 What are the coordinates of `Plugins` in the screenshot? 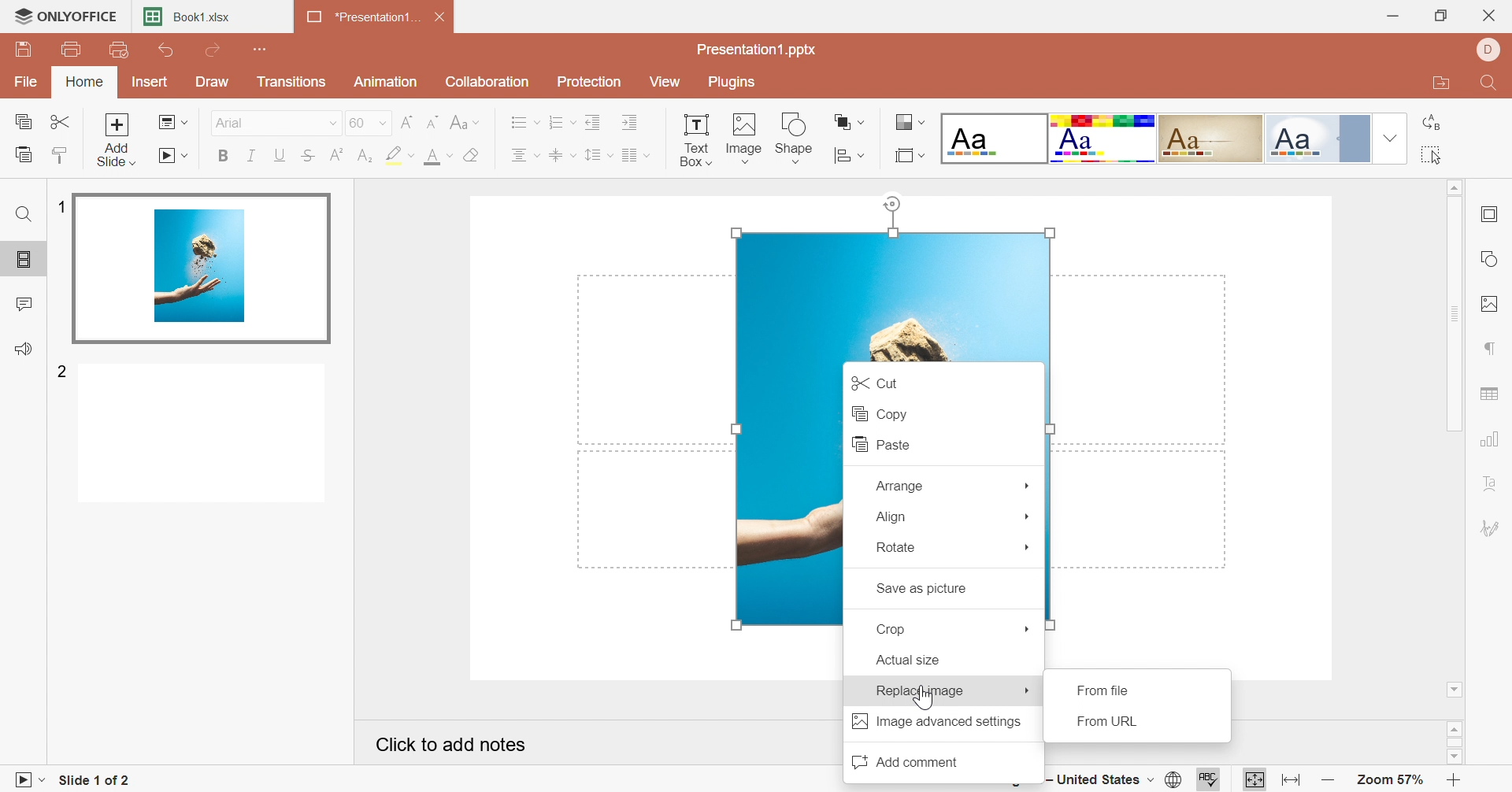 It's located at (735, 83).